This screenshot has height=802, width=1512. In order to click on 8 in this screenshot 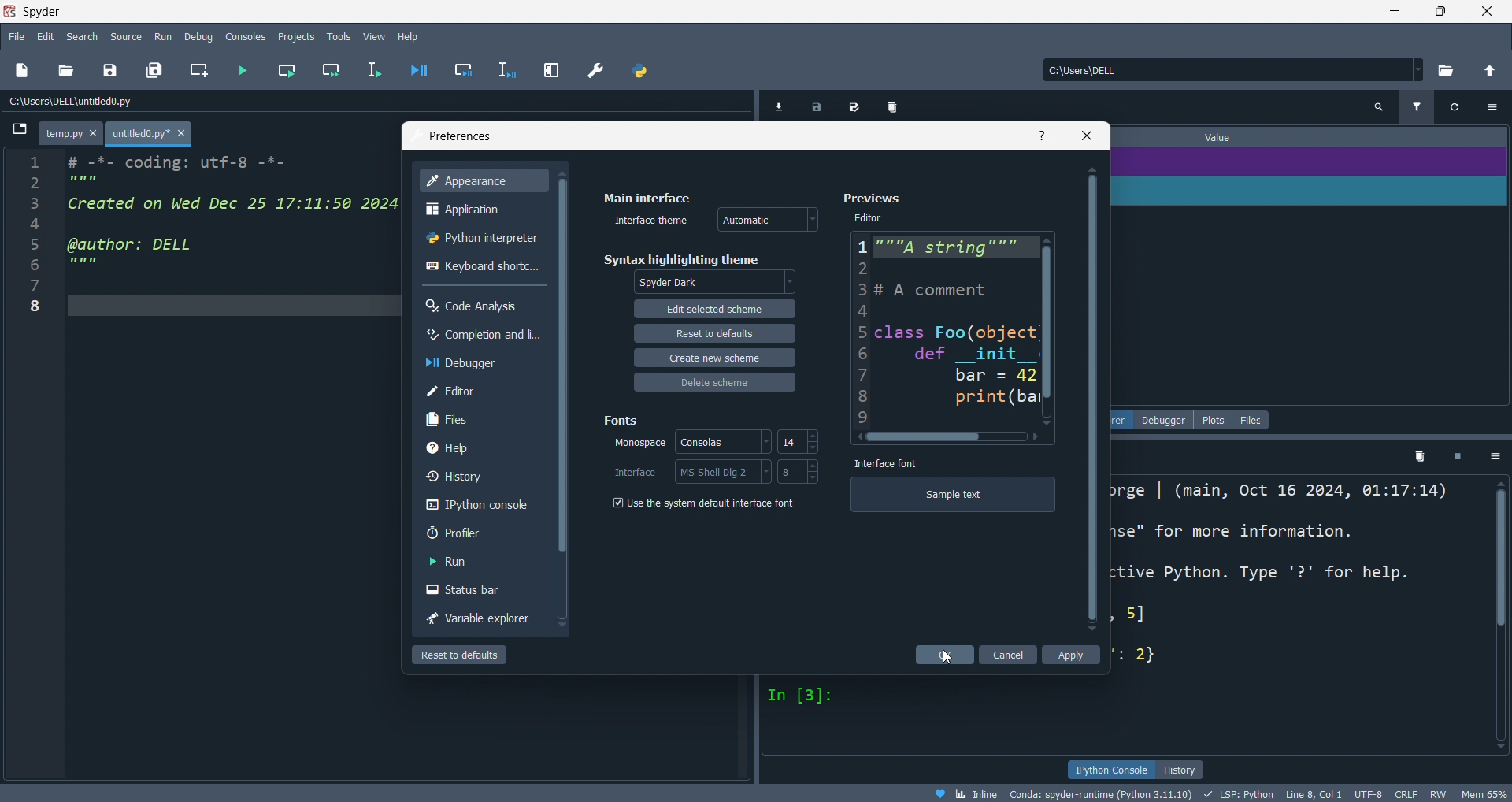, I will do `click(39, 309)`.